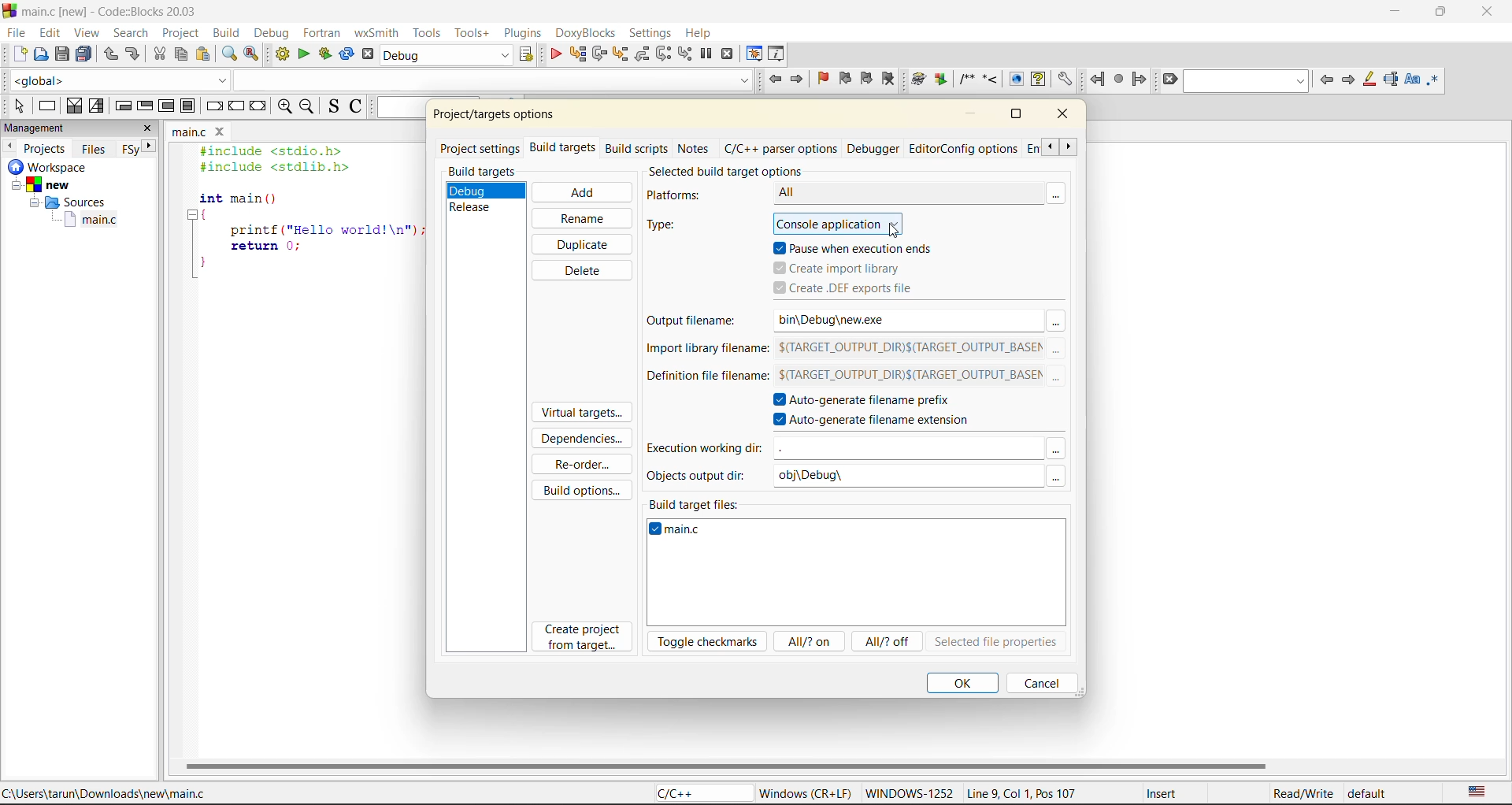 The height and width of the screenshot is (805, 1512). What do you see at coordinates (357, 107) in the screenshot?
I see `toggle comments` at bounding box center [357, 107].